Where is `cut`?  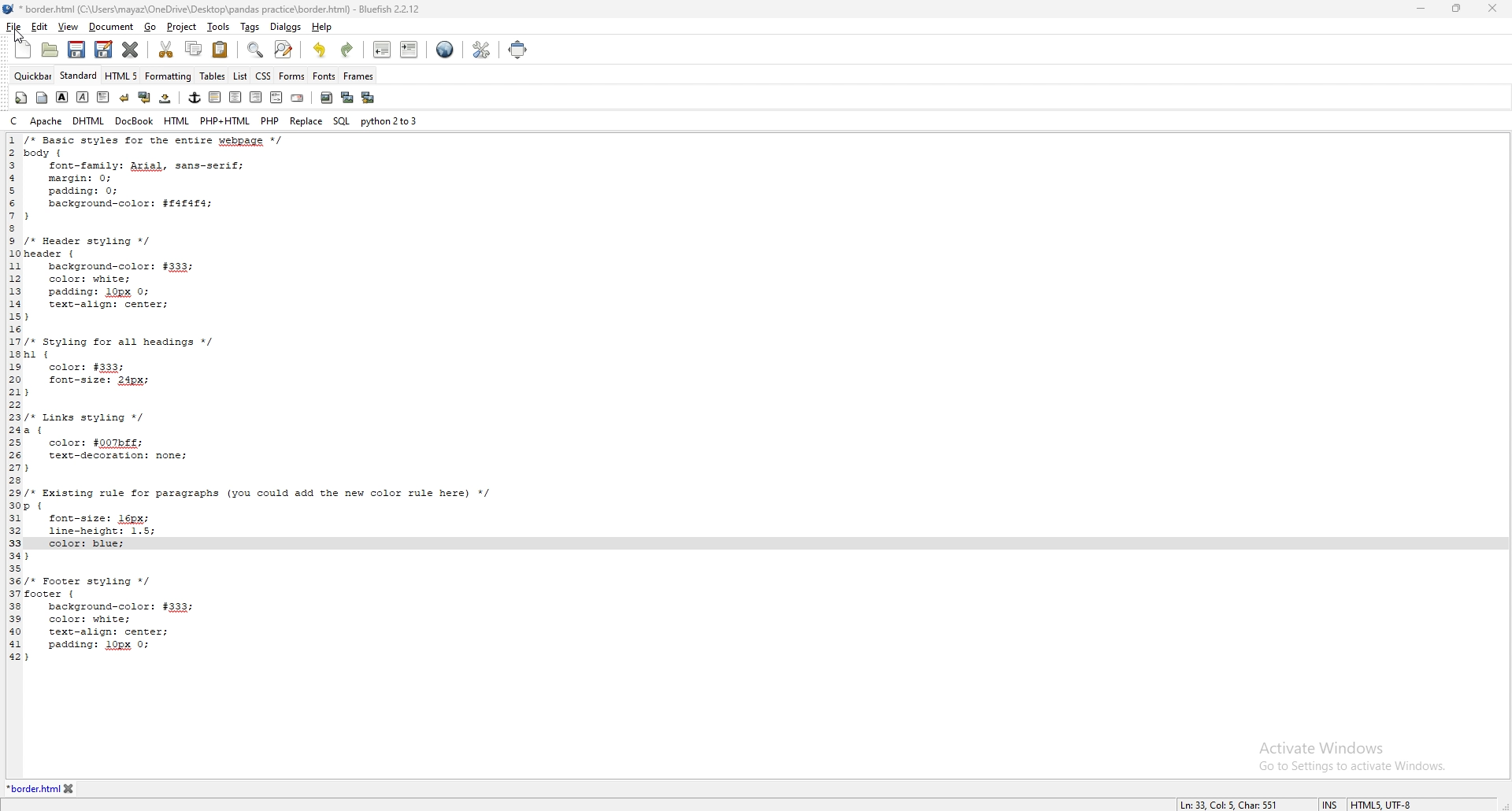
cut is located at coordinates (166, 49).